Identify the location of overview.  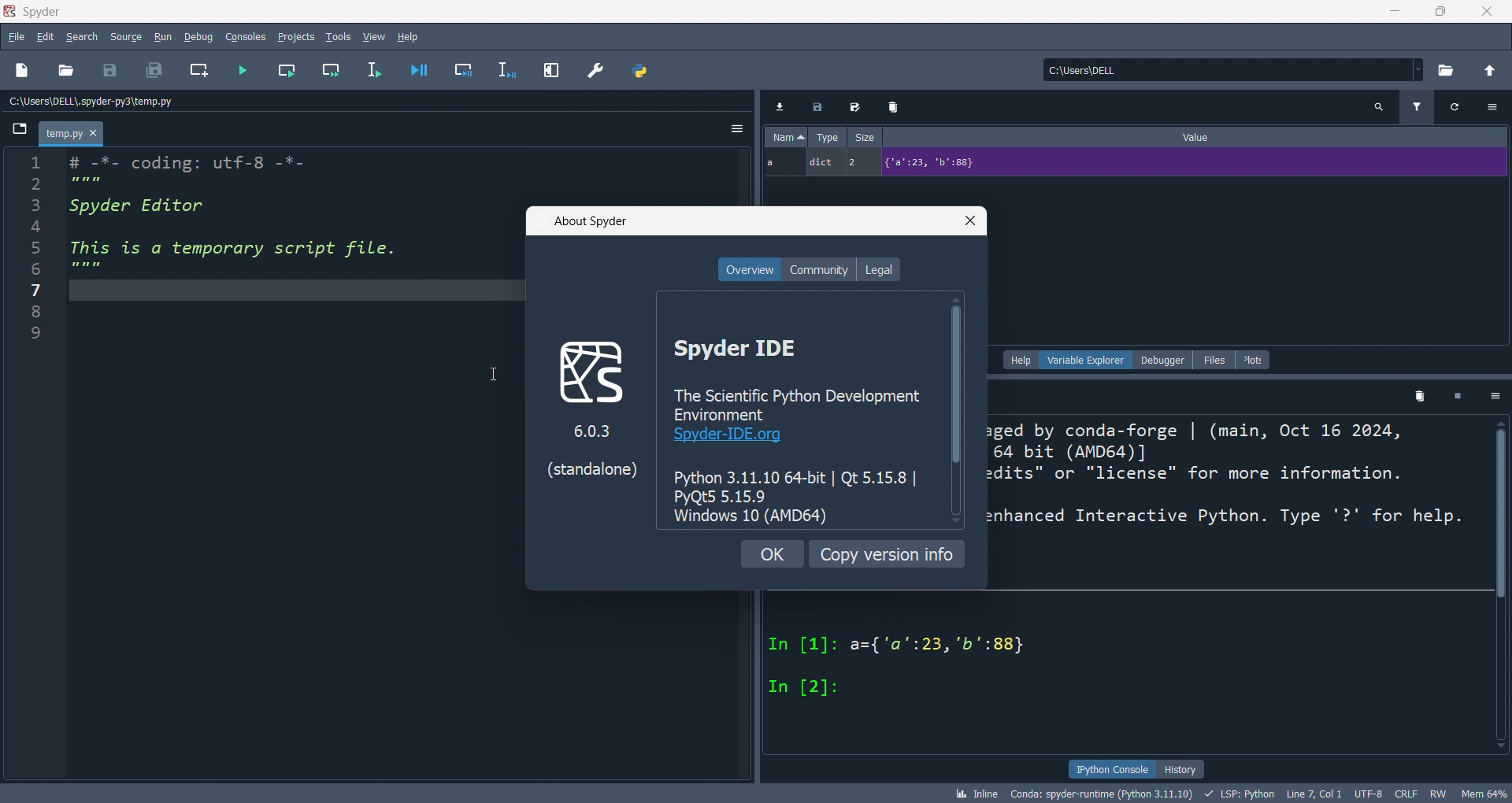
(750, 269).